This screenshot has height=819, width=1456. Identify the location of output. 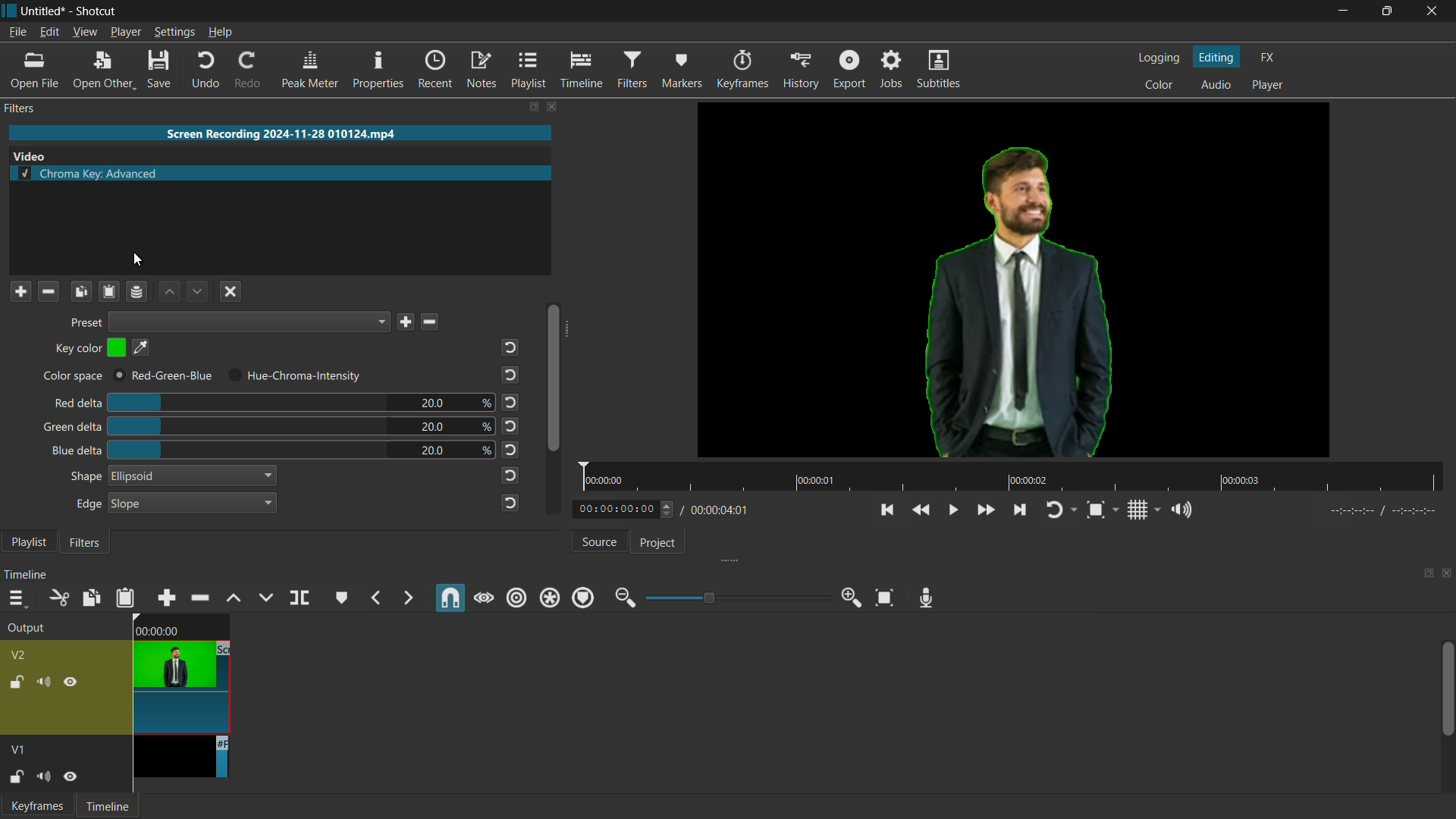
(24, 627).